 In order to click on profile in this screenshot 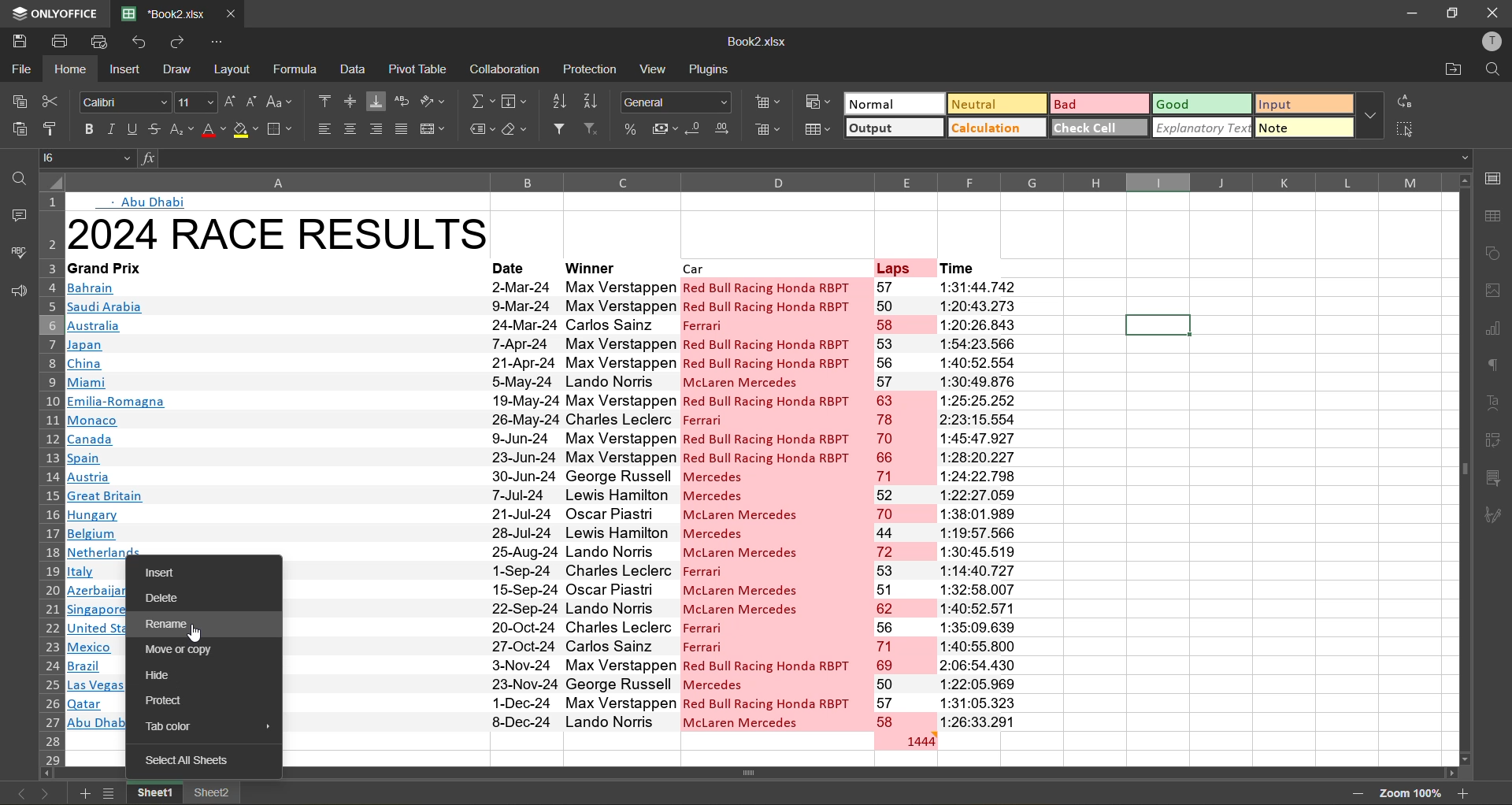, I will do `click(1489, 44)`.